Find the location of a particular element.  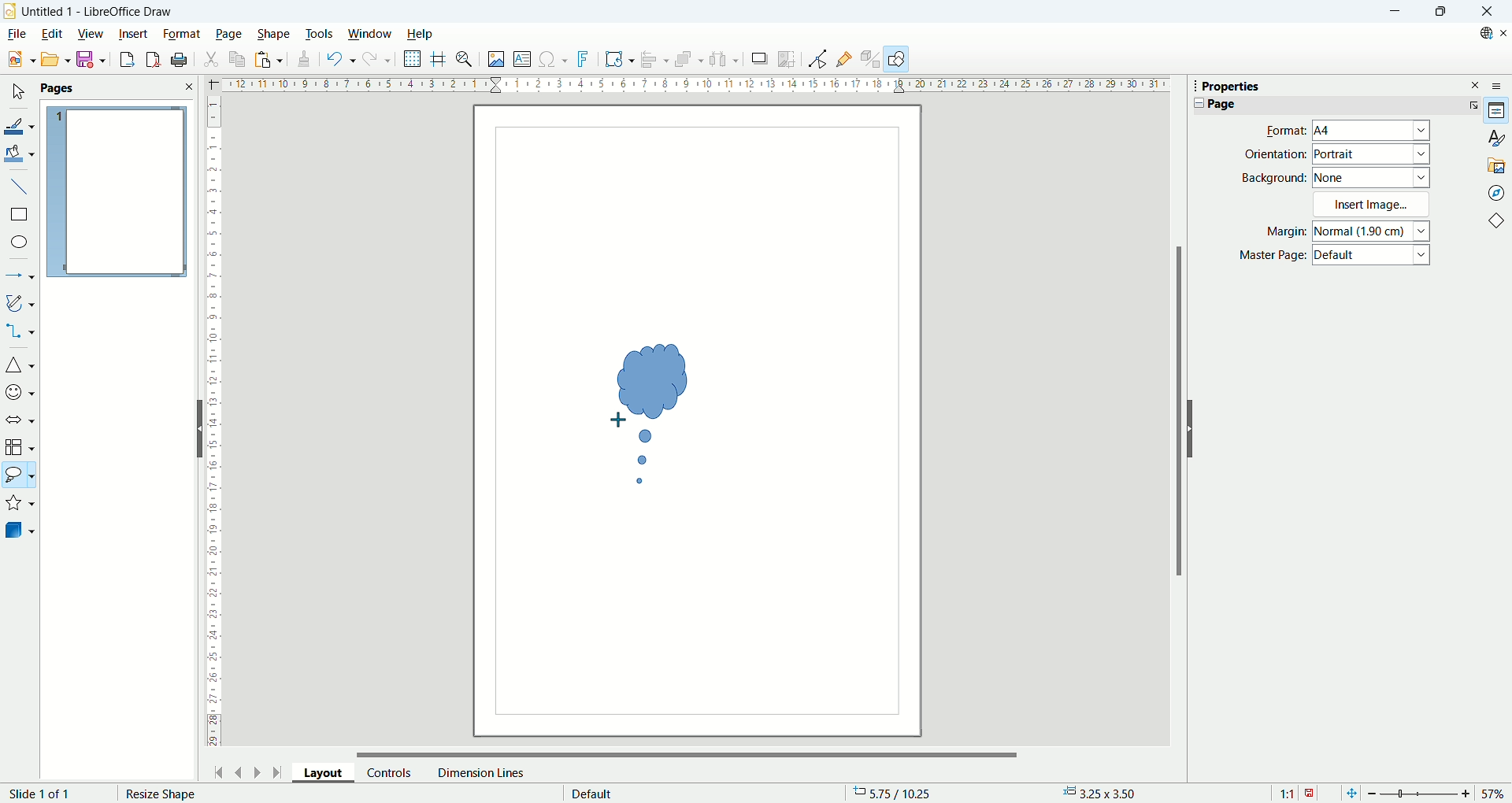

Hide is located at coordinates (197, 427).